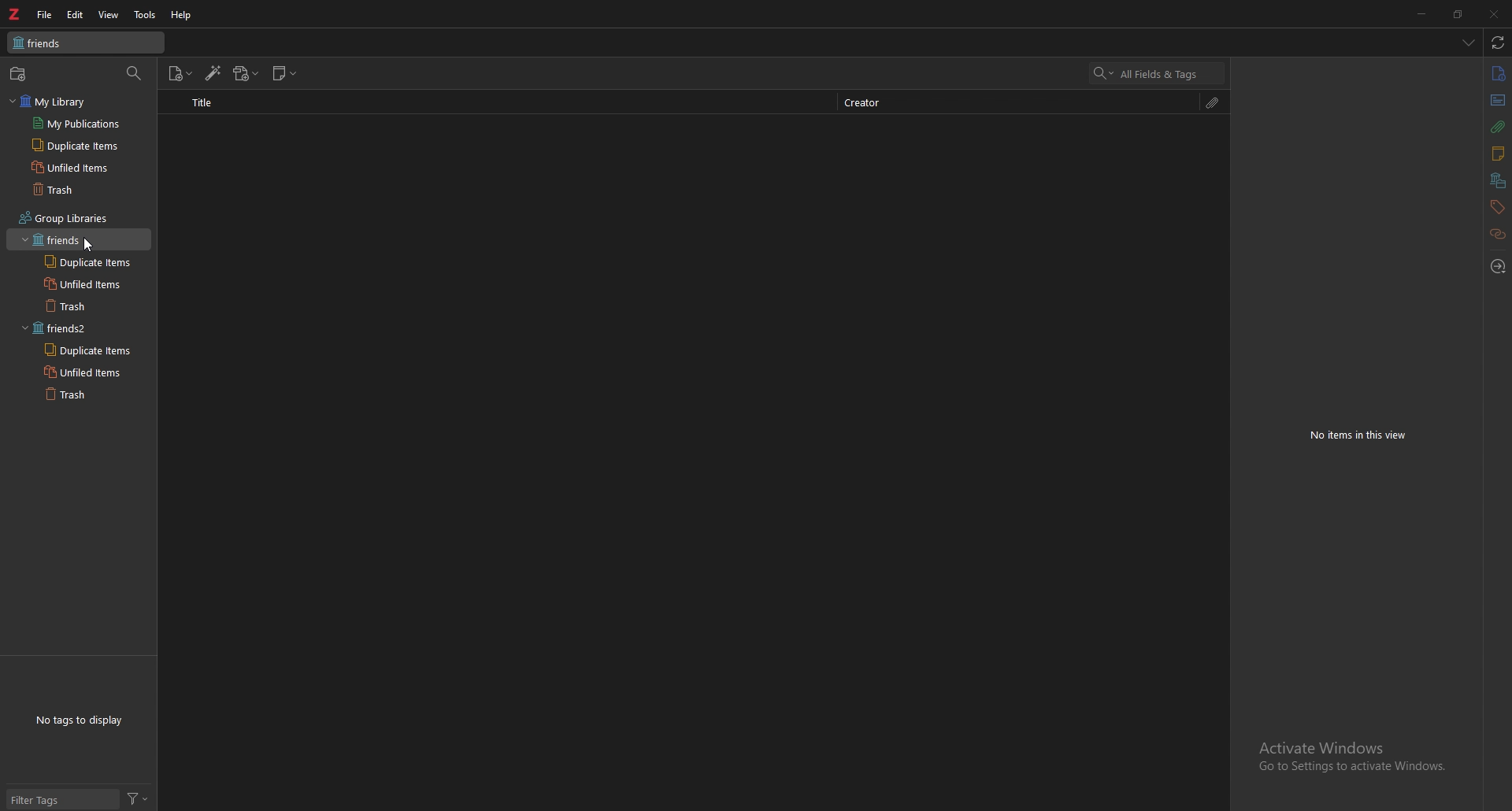 The image size is (1512, 811). I want to click on friends, so click(86, 43).